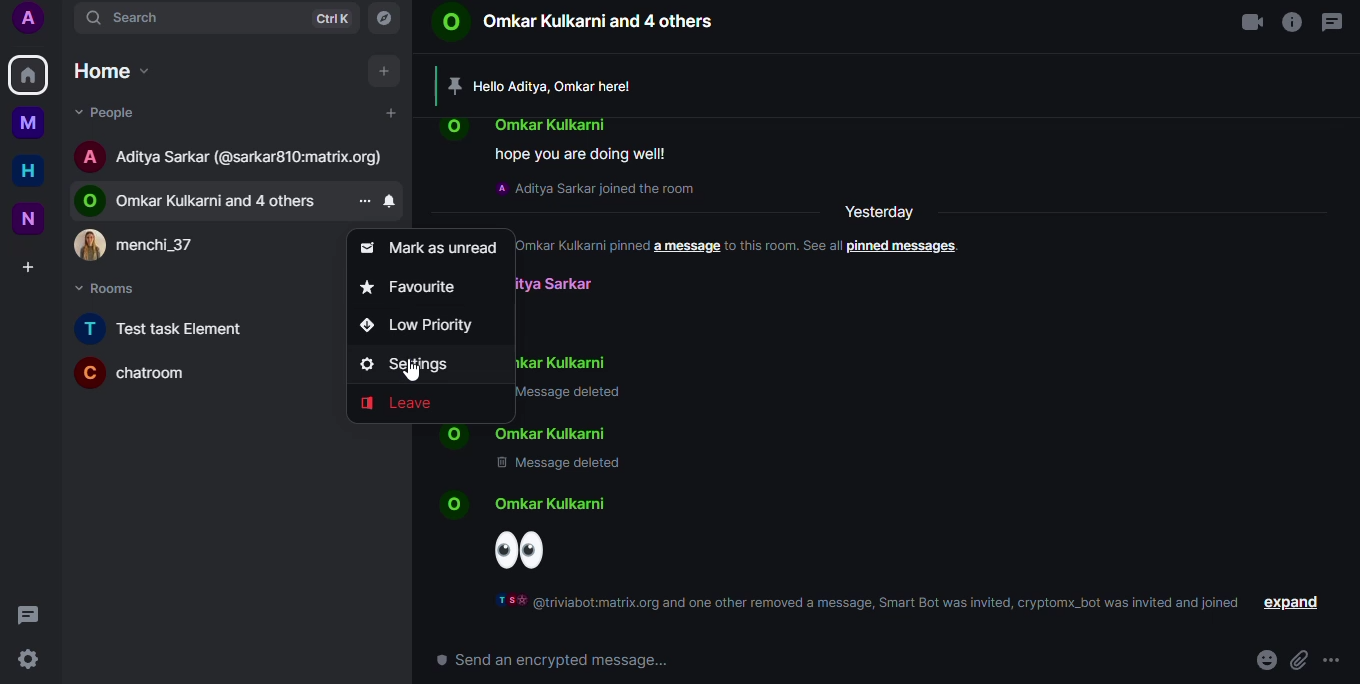  Describe the element at coordinates (107, 113) in the screenshot. I see `people` at that location.